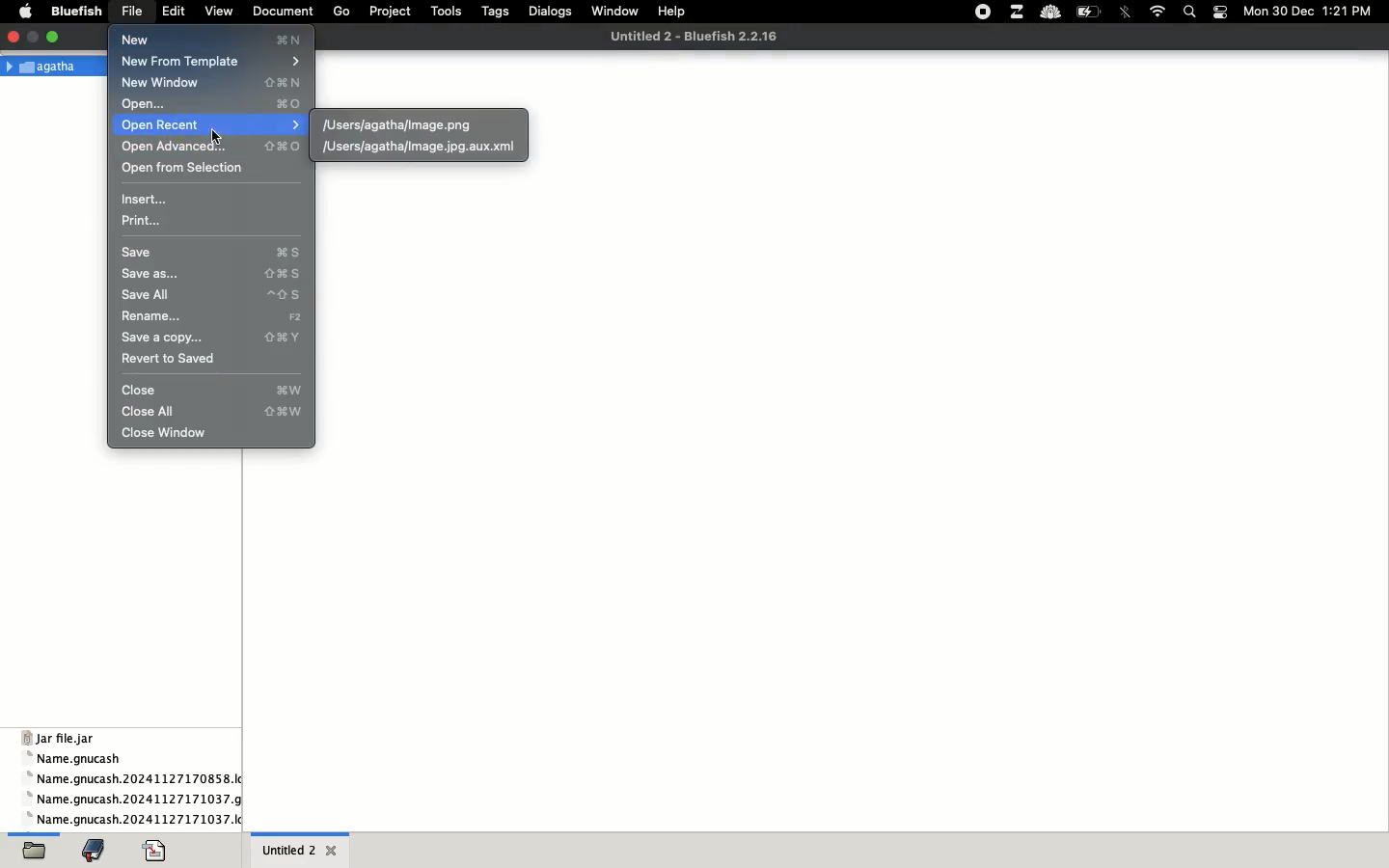  What do you see at coordinates (613, 11) in the screenshot?
I see `window ` at bounding box center [613, 11].